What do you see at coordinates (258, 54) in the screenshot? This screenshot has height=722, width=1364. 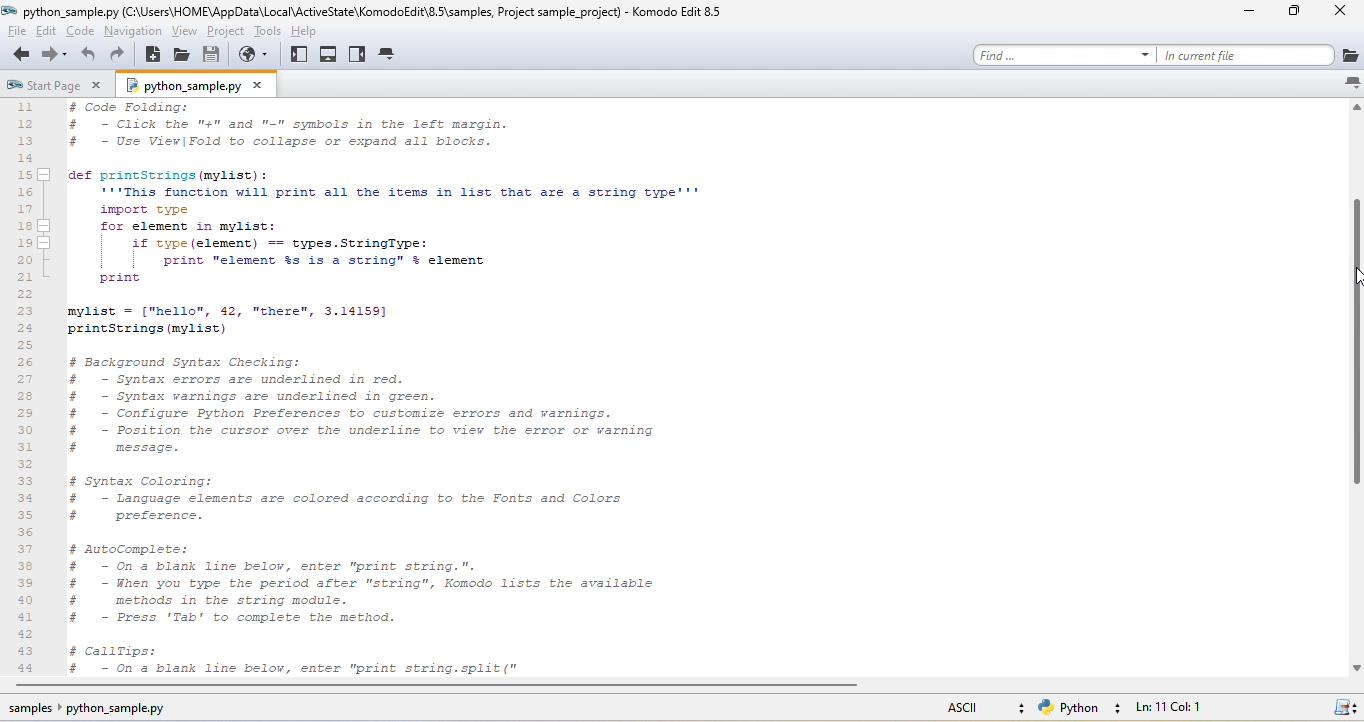 I see `browse` at bounding box center [258, 54].